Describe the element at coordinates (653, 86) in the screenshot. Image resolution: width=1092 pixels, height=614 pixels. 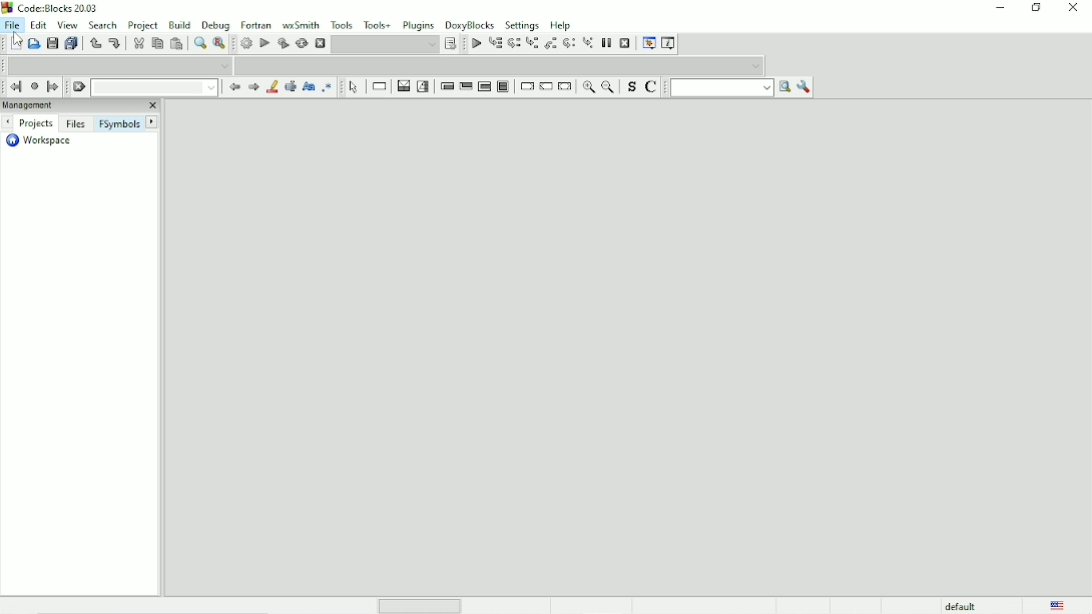
I see `Toggle comments` at that location.